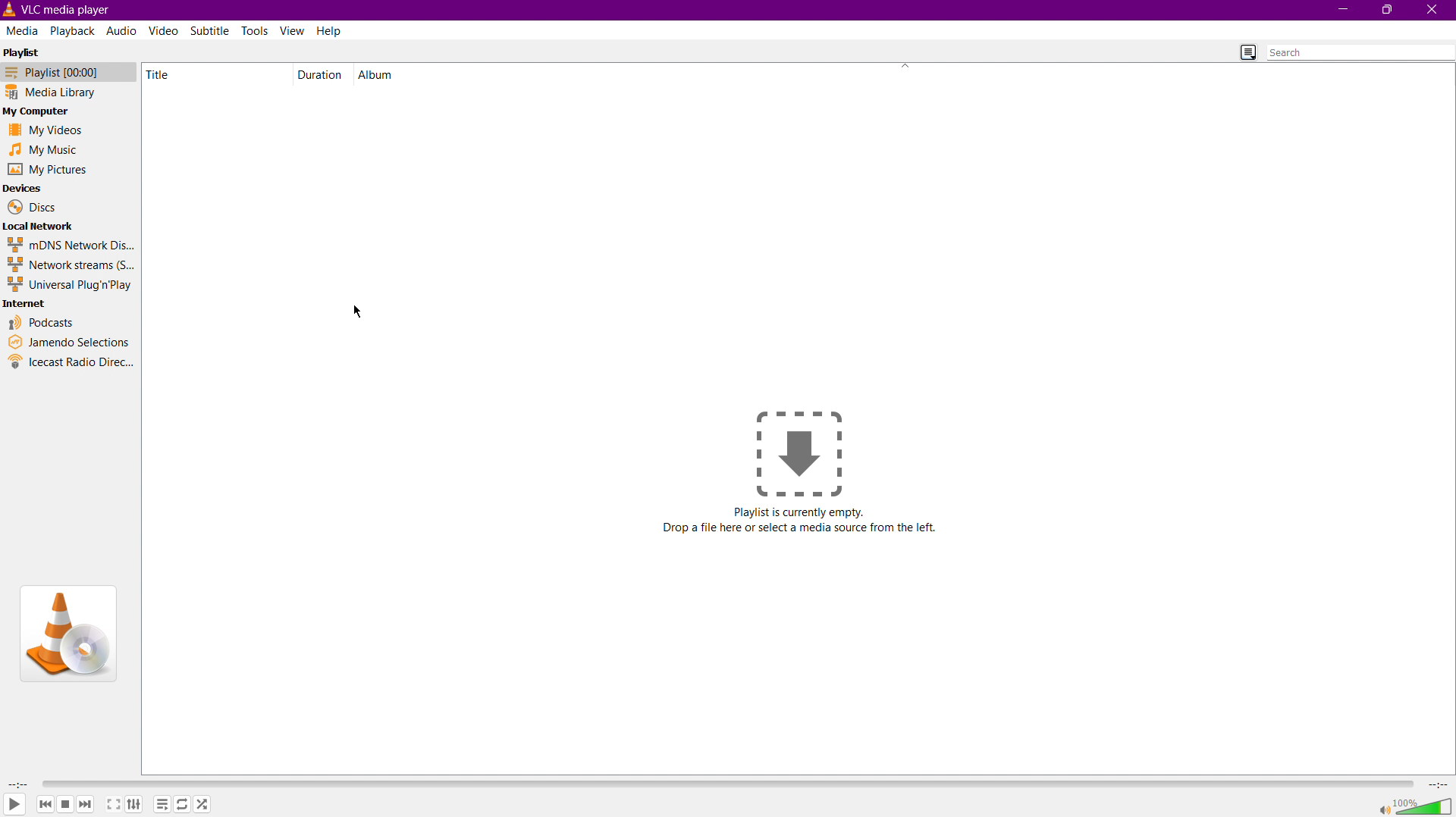  I want to click on Network streams, so click(69, 264).